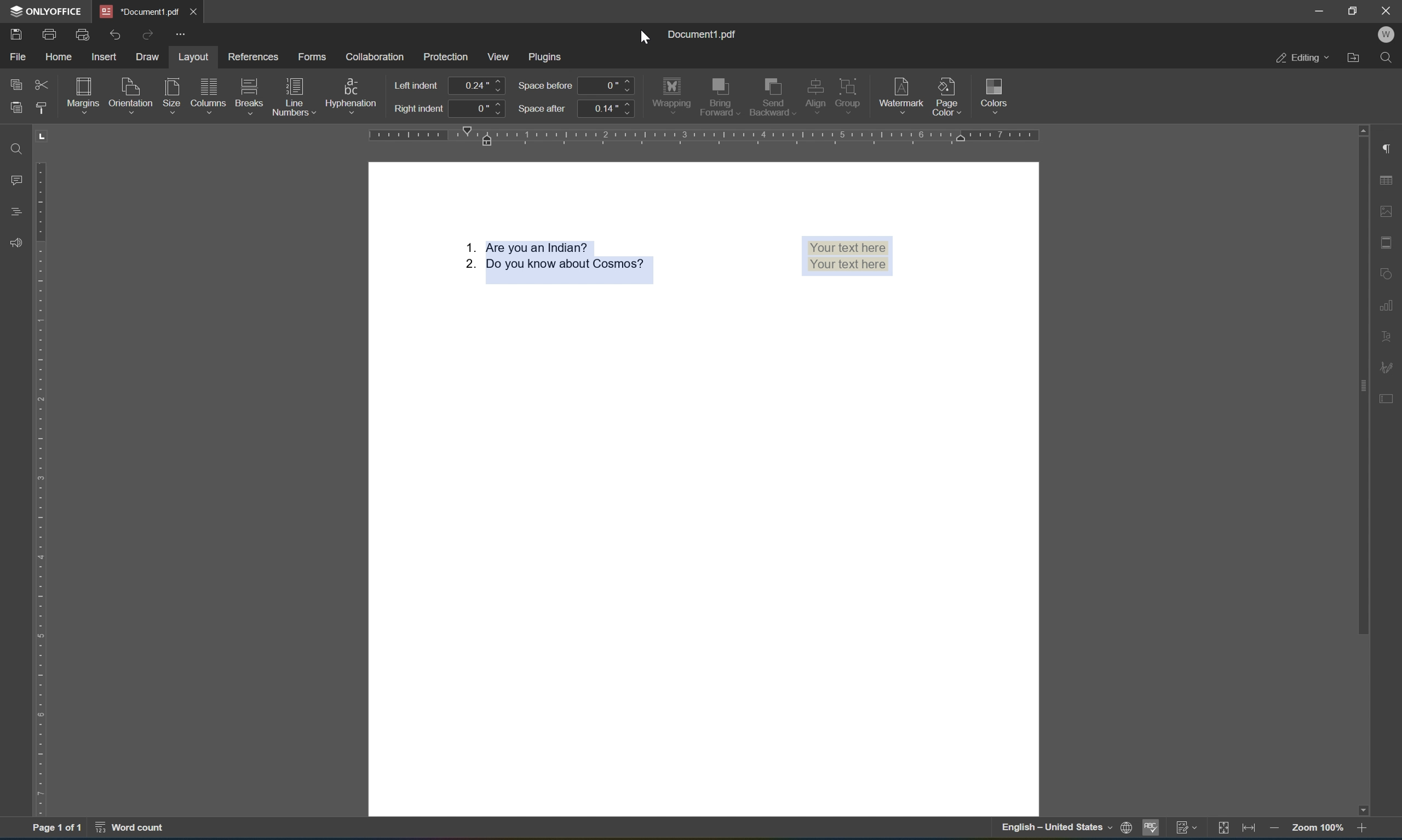 The height and width of the screenshot is (840, 1402). Describe the element at coordinates (1388, 309) in the screenshot. I see `chart settings` at that location.